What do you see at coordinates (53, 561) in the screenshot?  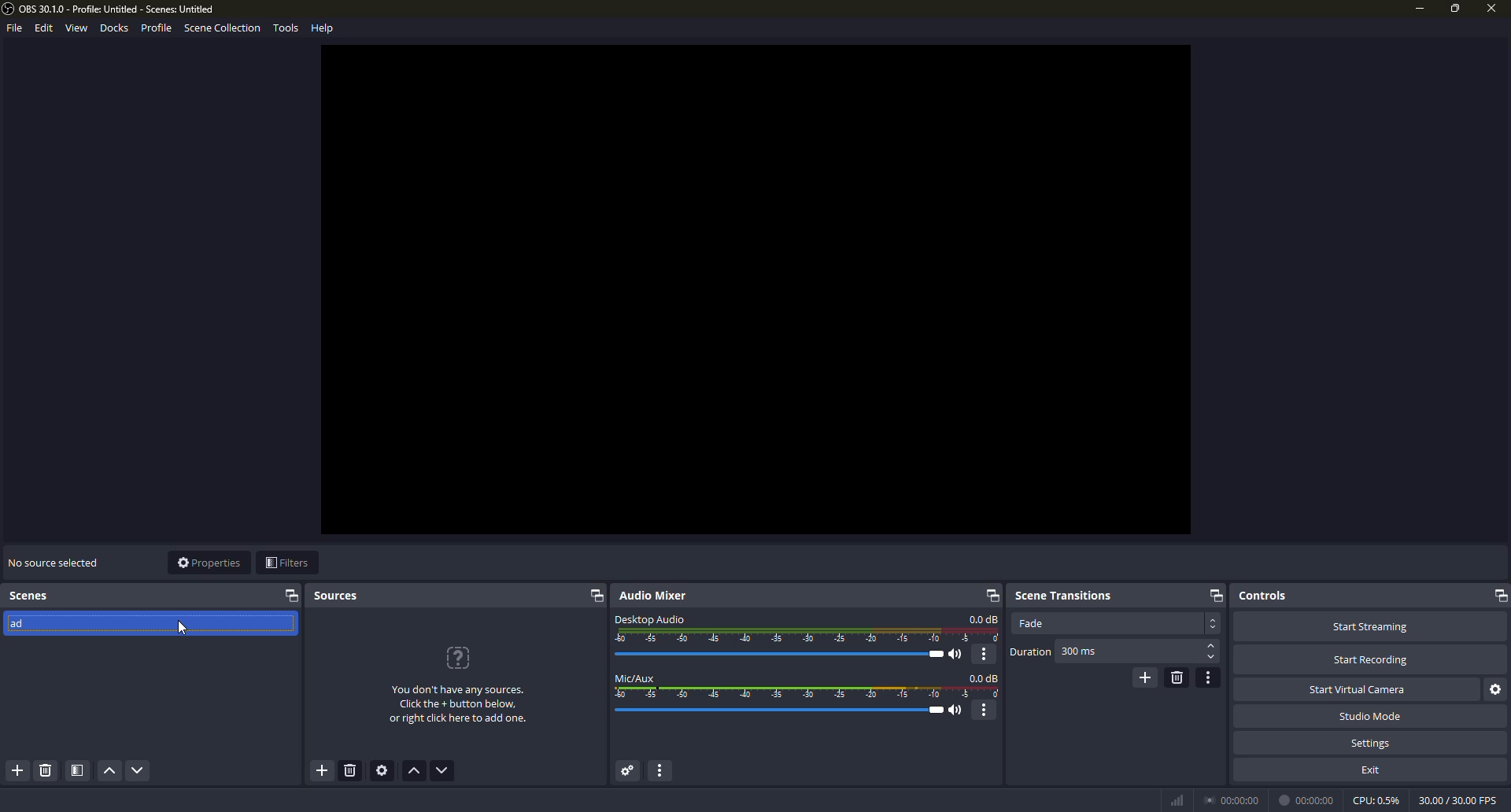 I see `no source selected` at bounding box center [53, 561].